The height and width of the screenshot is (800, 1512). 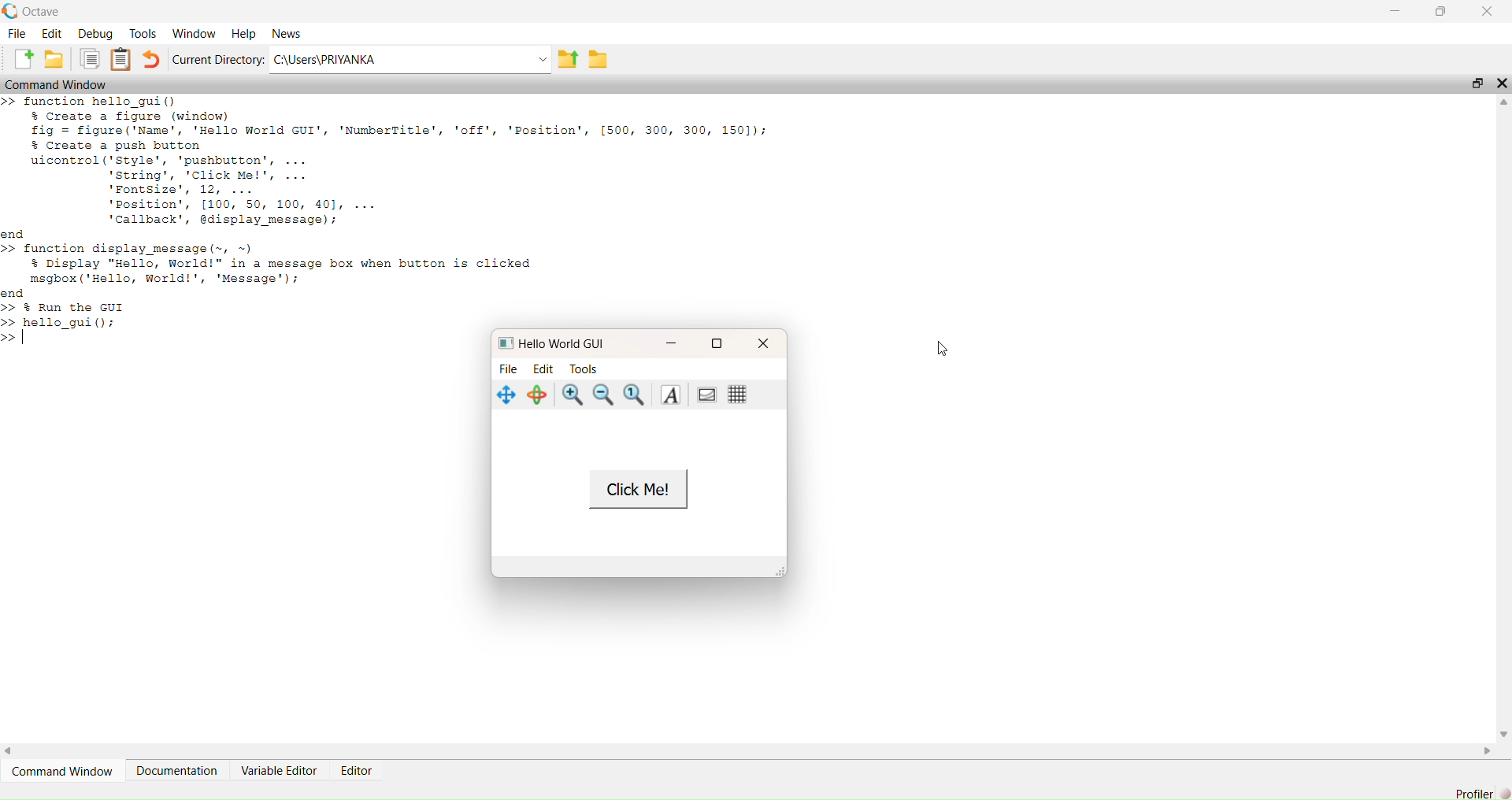 What do you see at coordinates (504, 396) in the screenshot?
I see `navigate` at bounding box center [504, 396].